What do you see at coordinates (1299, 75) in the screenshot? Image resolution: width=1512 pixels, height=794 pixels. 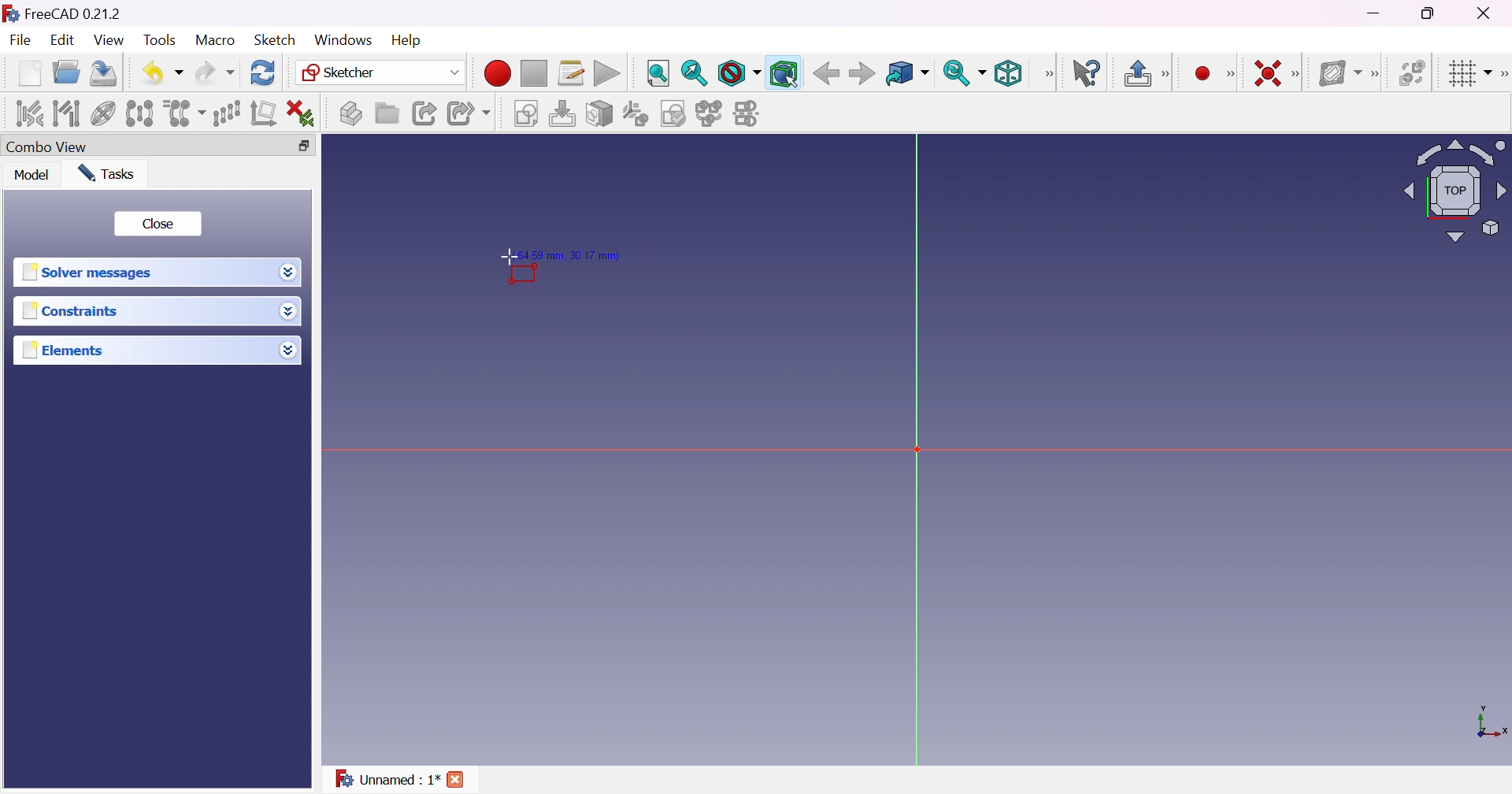 I see `[Sketcher constraints]` at bounding box center [1299, 75].